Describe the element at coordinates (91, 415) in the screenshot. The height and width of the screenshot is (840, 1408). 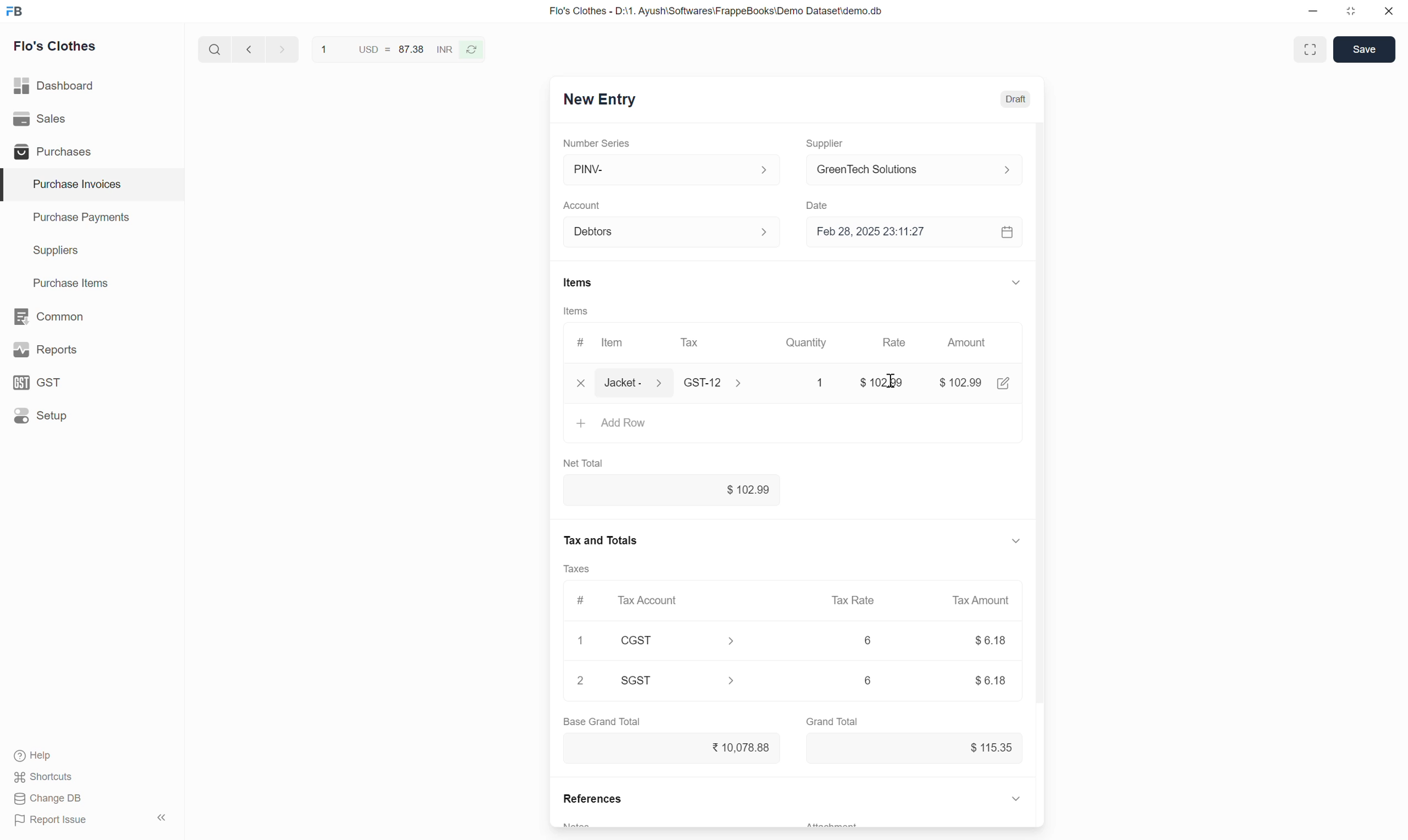
I see `Setup` at that location.